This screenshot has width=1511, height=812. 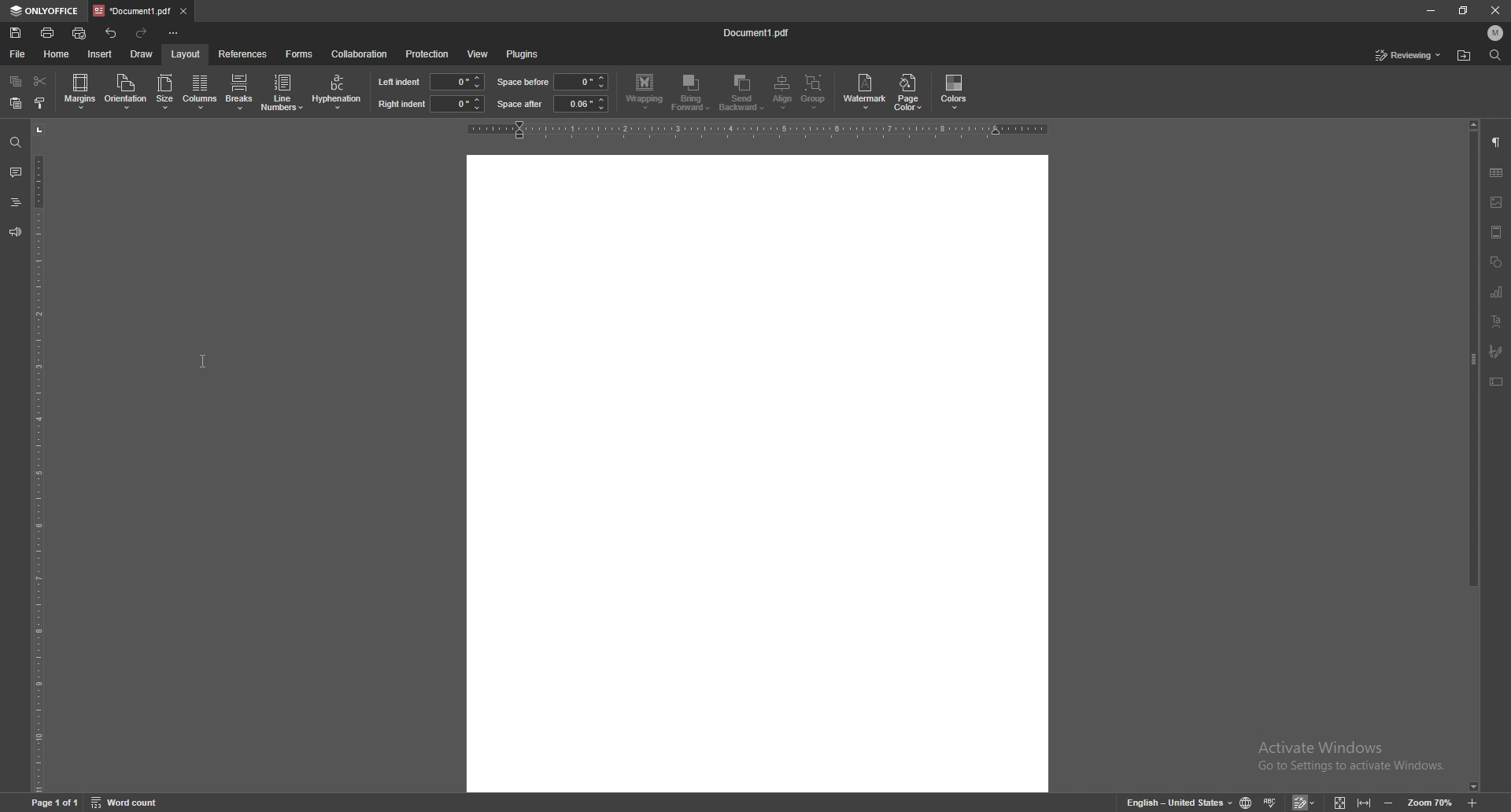 I want to click on redo, so click(x=142, y=34).